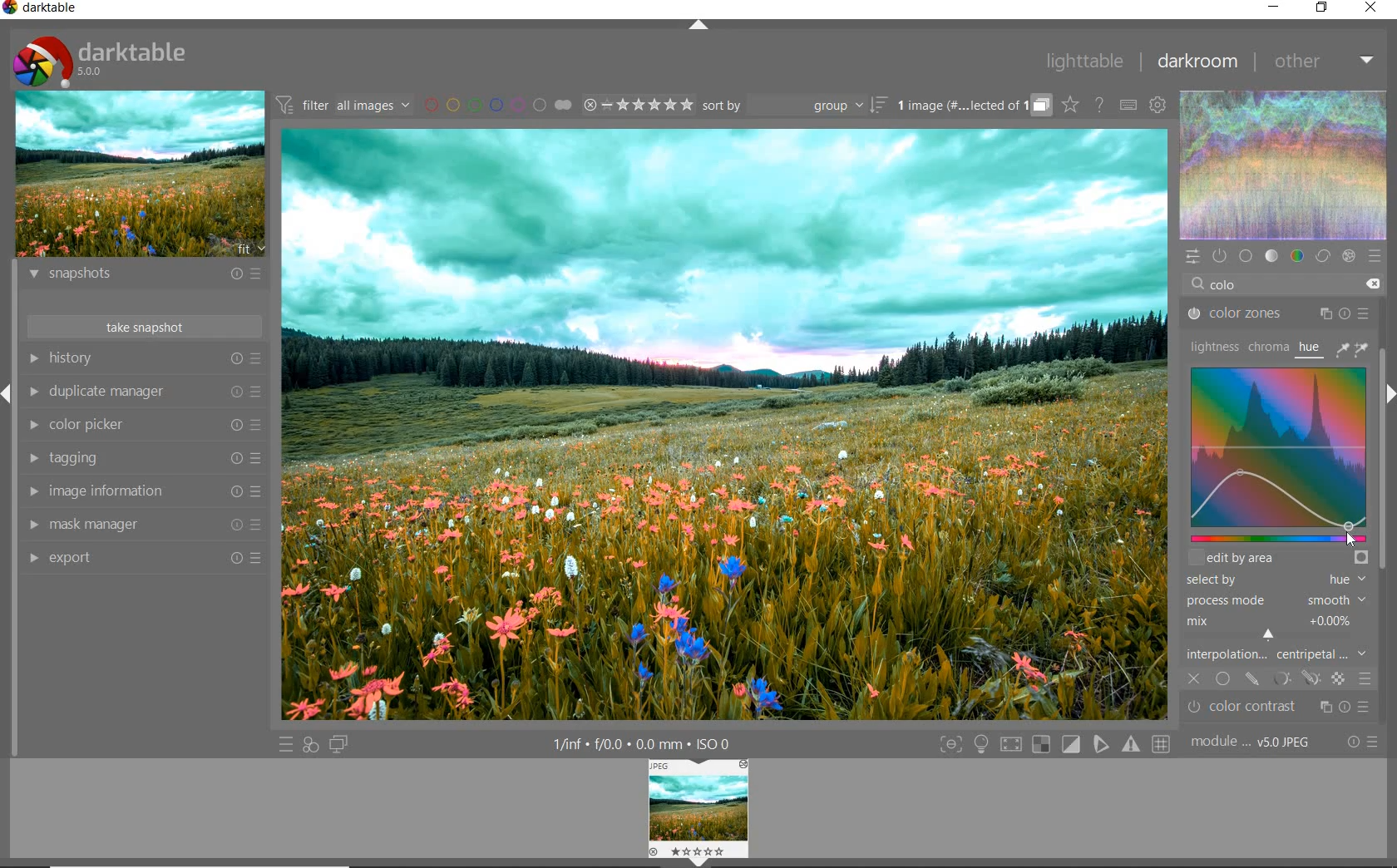 The image size is (1397, 868). What do you see at coordinates (1373, 284) in the screenshot?
I see `delete` at bounding box center [1373, 284].